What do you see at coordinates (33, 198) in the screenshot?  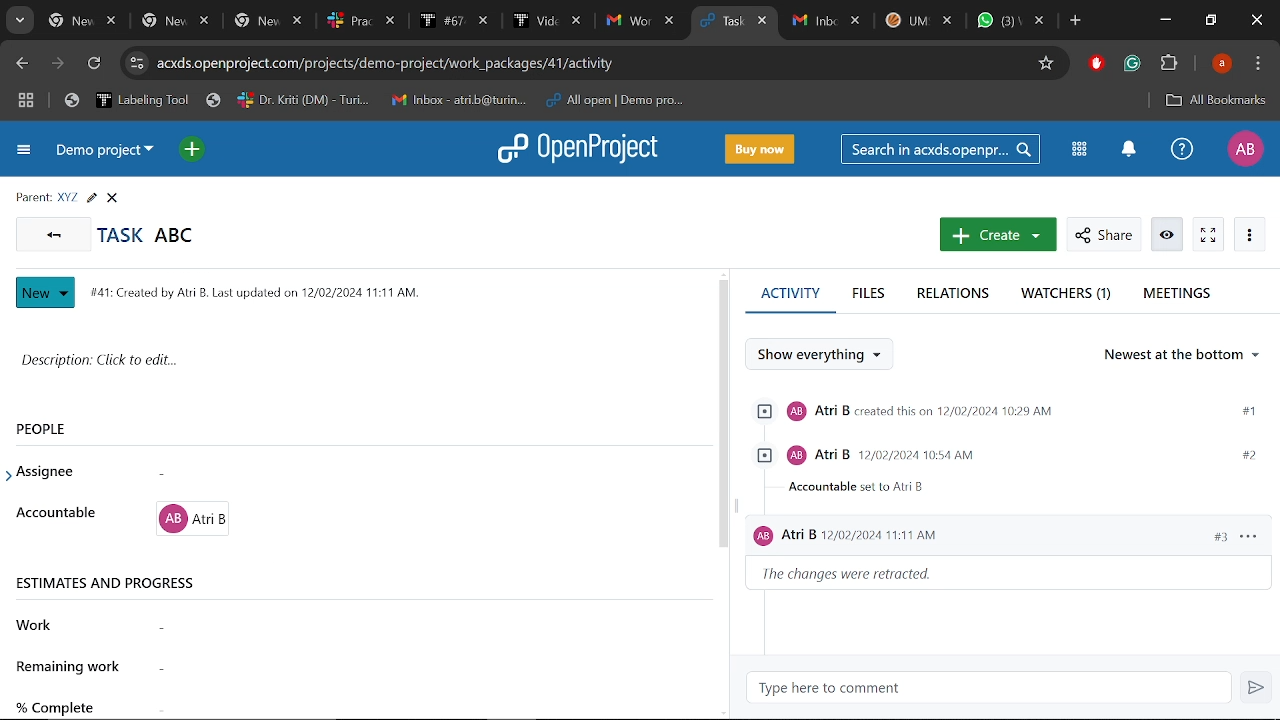 I see `Parent:` at bounding box center [33, 198].